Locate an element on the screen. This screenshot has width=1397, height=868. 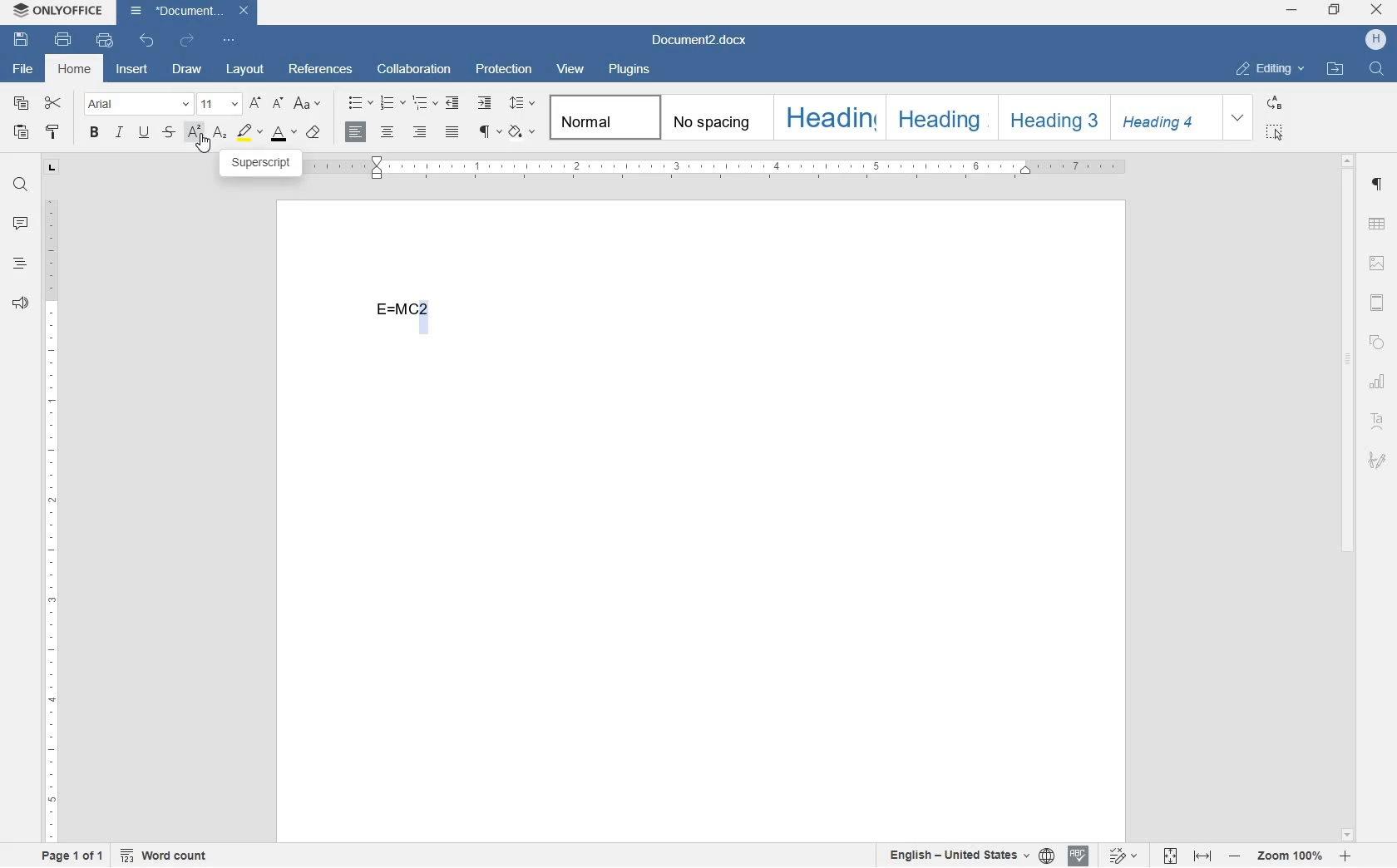
print is located at coordinates (63, 41).